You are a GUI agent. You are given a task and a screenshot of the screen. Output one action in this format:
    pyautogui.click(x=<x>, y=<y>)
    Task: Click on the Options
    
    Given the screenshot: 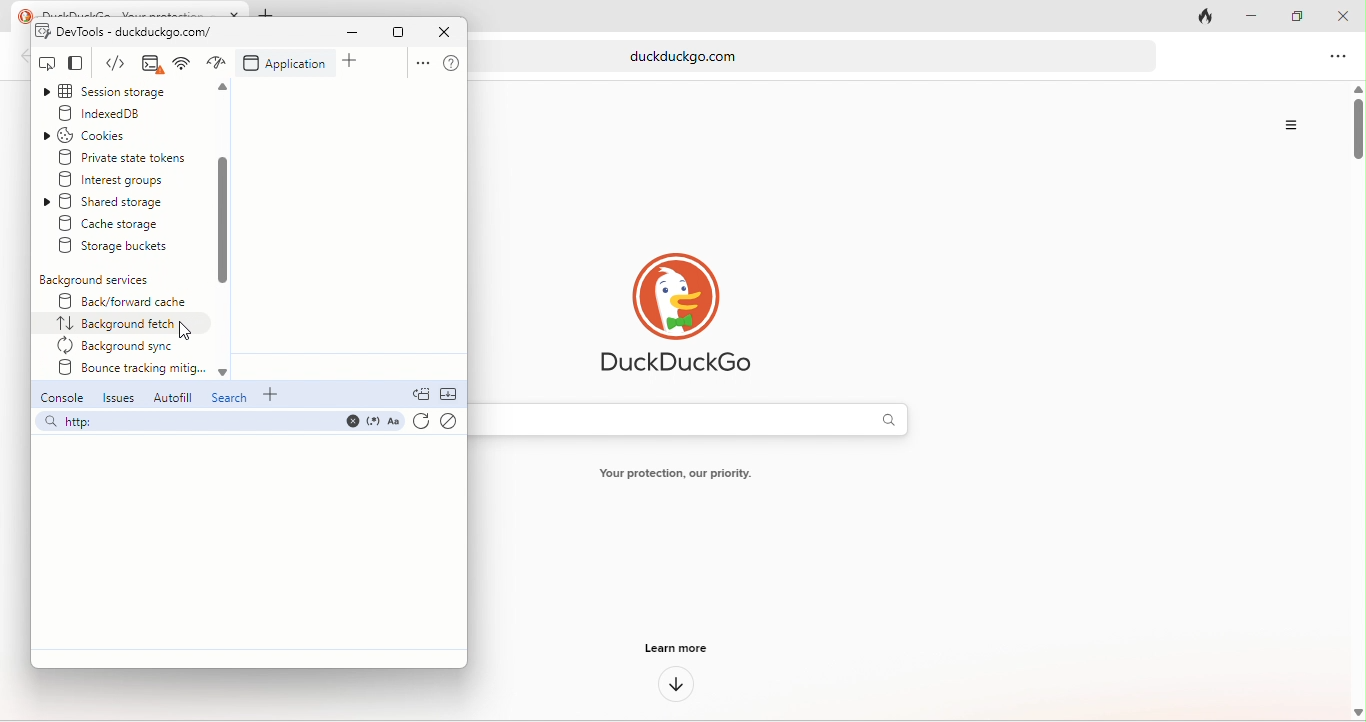 What is the action you would take?
    pyautogui.click(x=1290, y=125)
    